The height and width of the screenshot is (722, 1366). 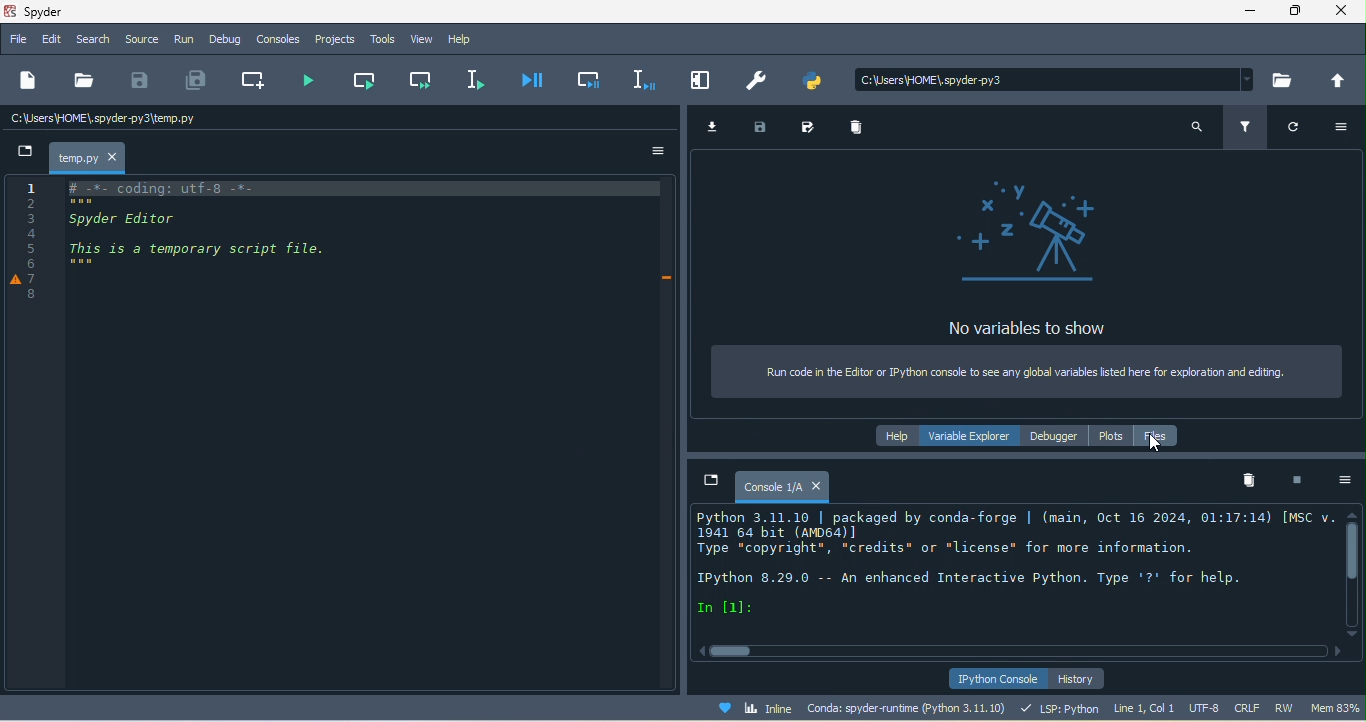 What do you see at coordinates (1251, 707) in the screenshot?
I see `crlf` at bounding box center [1251, 707].